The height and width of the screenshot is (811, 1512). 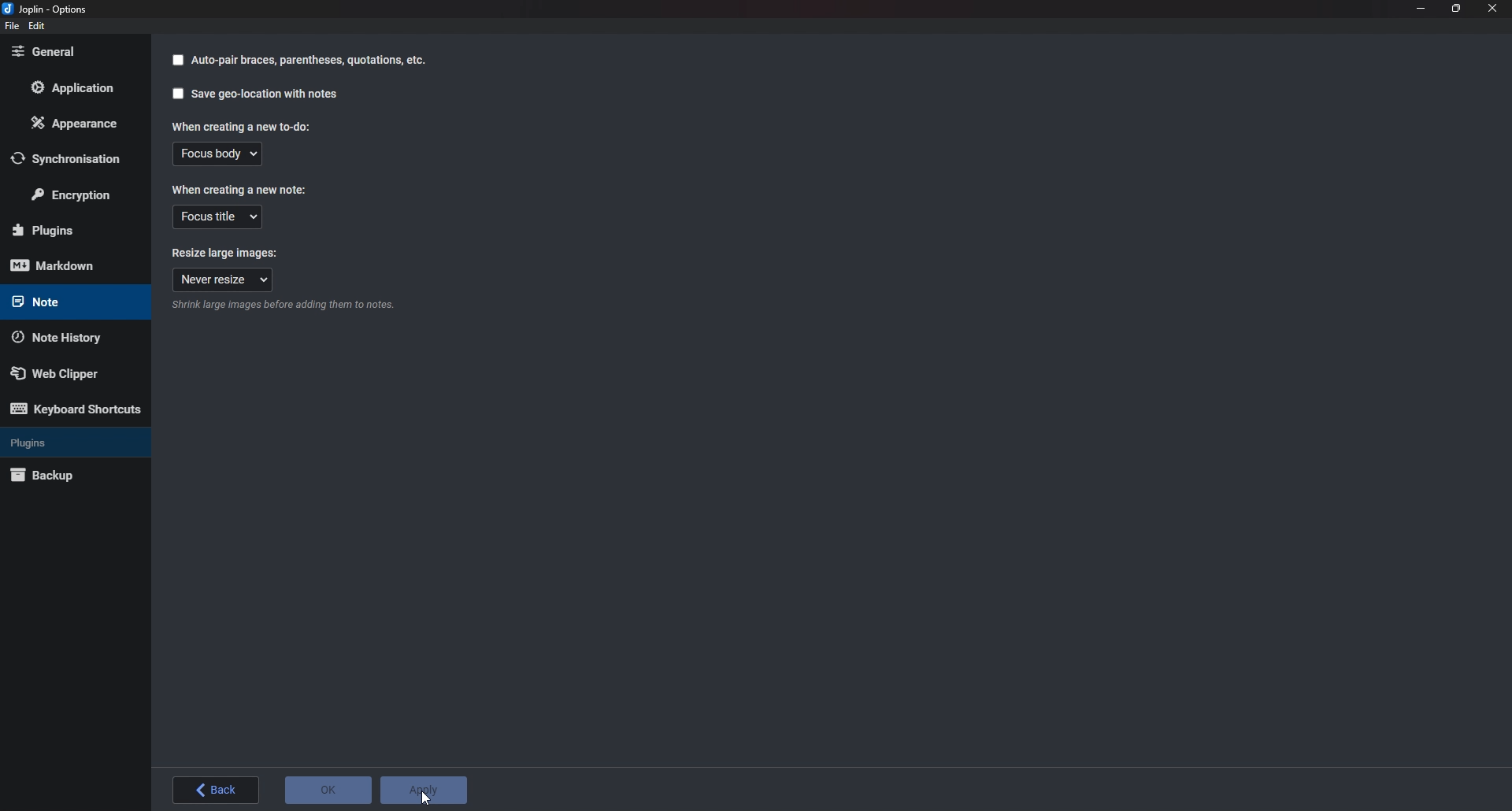 I want to click on info, so click(x=313, y=305).